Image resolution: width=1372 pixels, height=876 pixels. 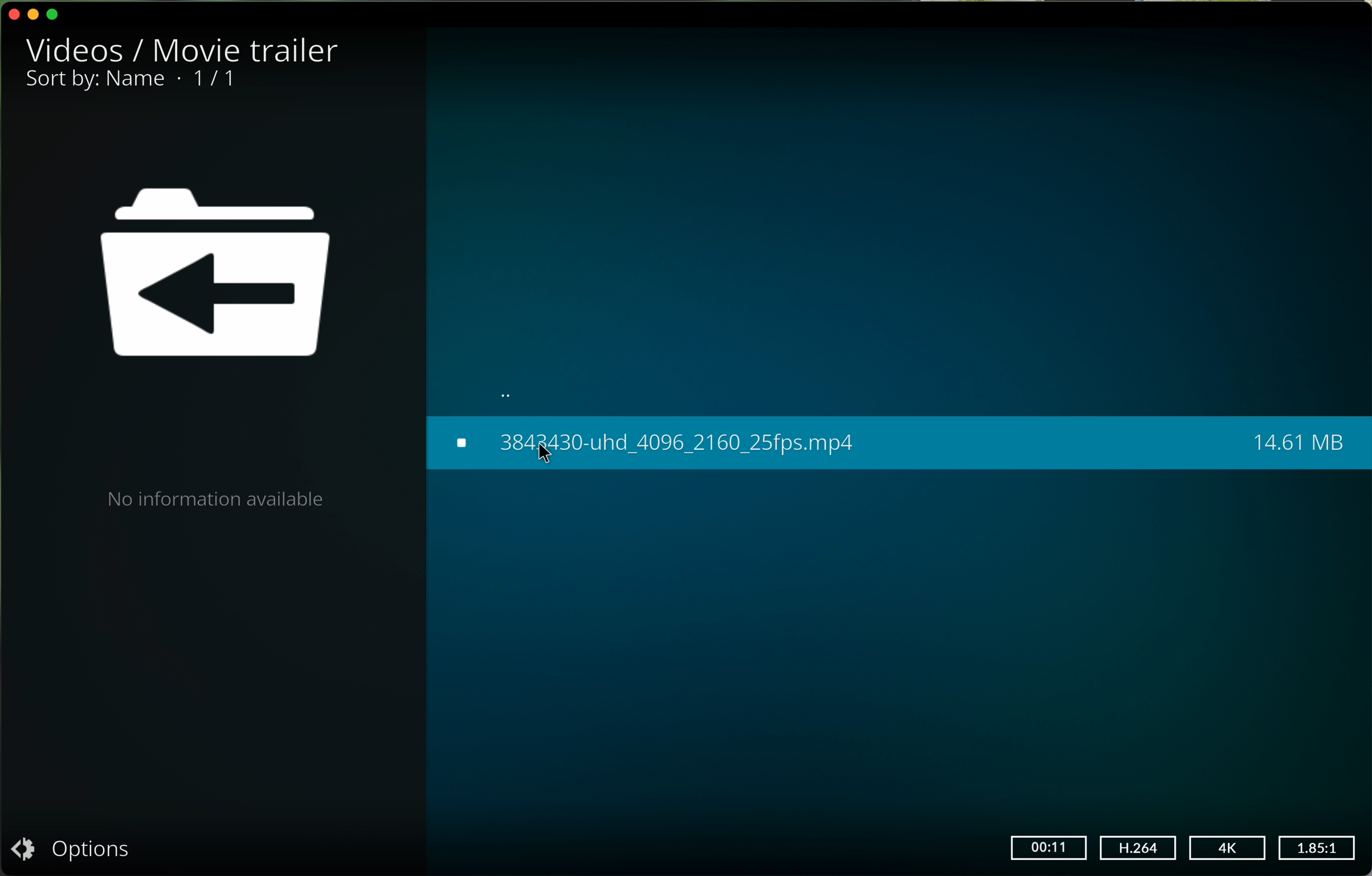 I want to click on cursor, so click(x=548, y=455).